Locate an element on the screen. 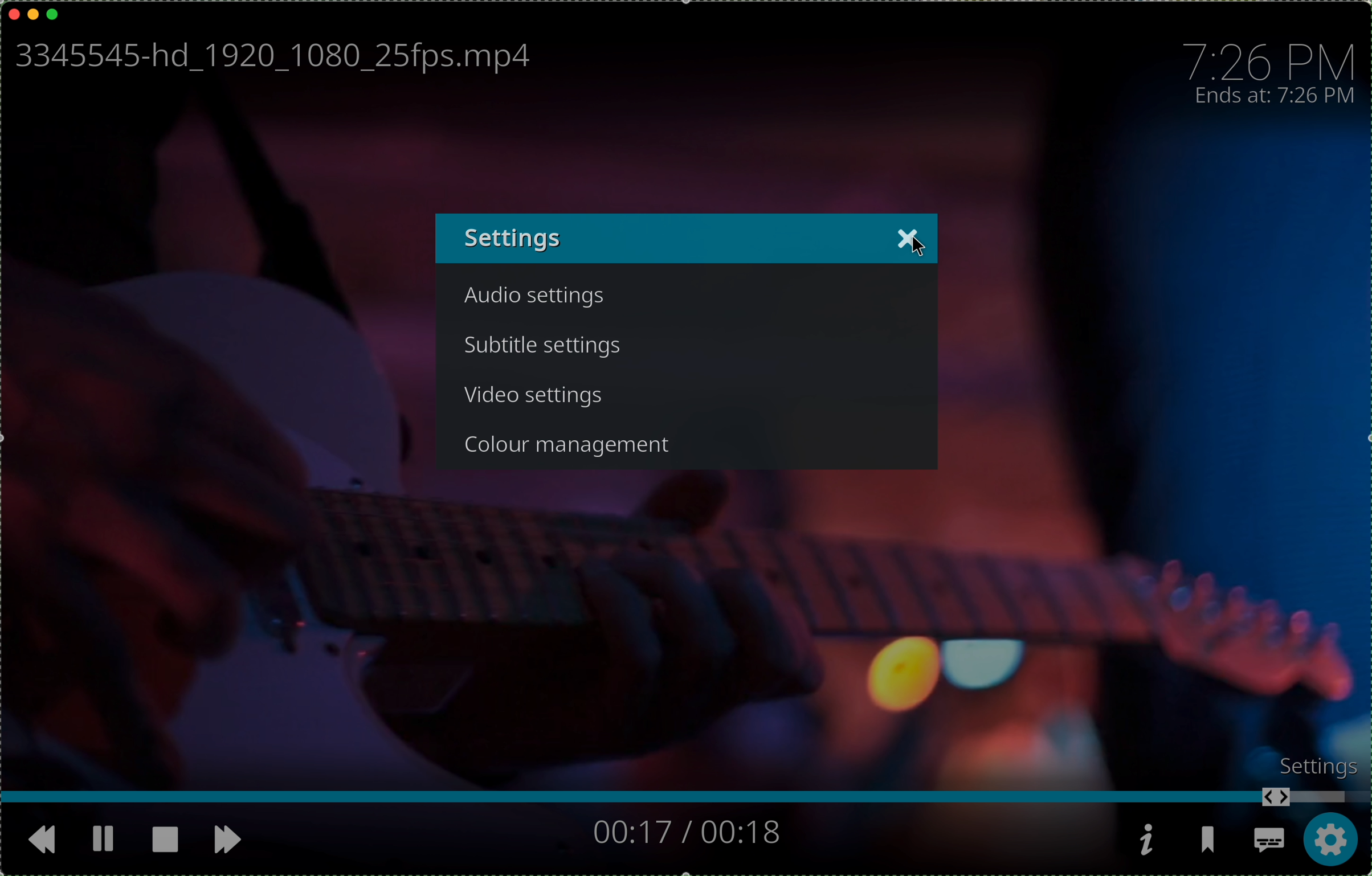  name file is located at coordinates (268, 58).